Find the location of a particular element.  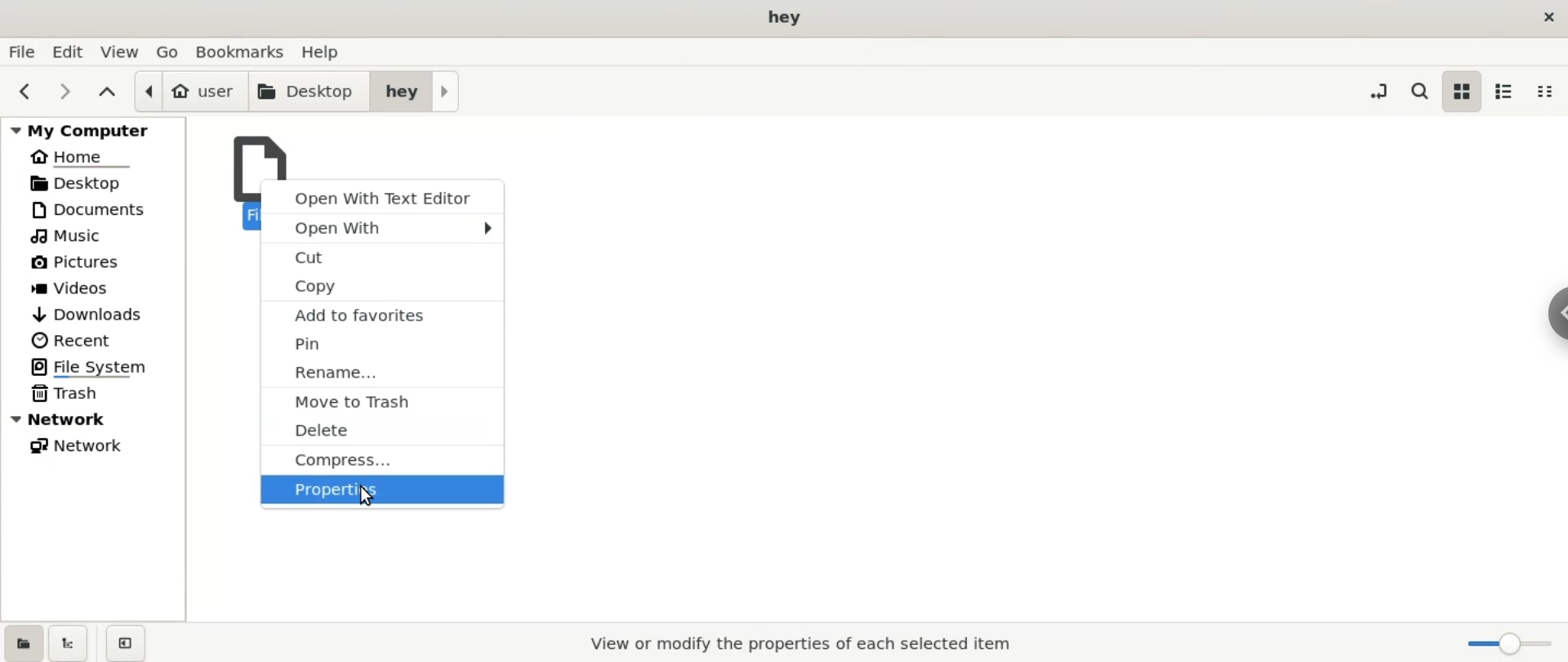

previous is located at coordinates (22, 89).